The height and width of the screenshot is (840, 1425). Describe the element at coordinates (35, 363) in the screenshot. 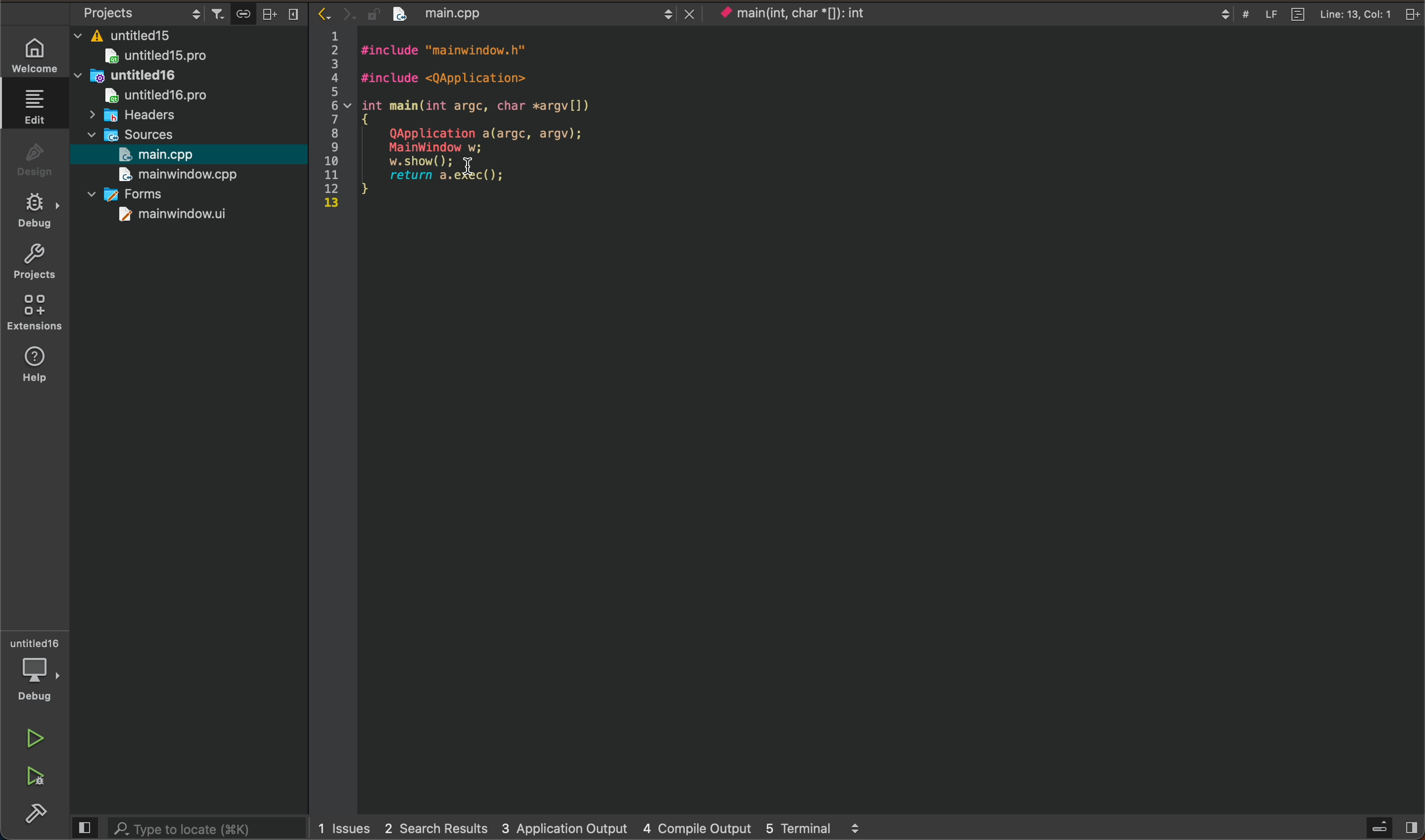

I see `help` at that location.